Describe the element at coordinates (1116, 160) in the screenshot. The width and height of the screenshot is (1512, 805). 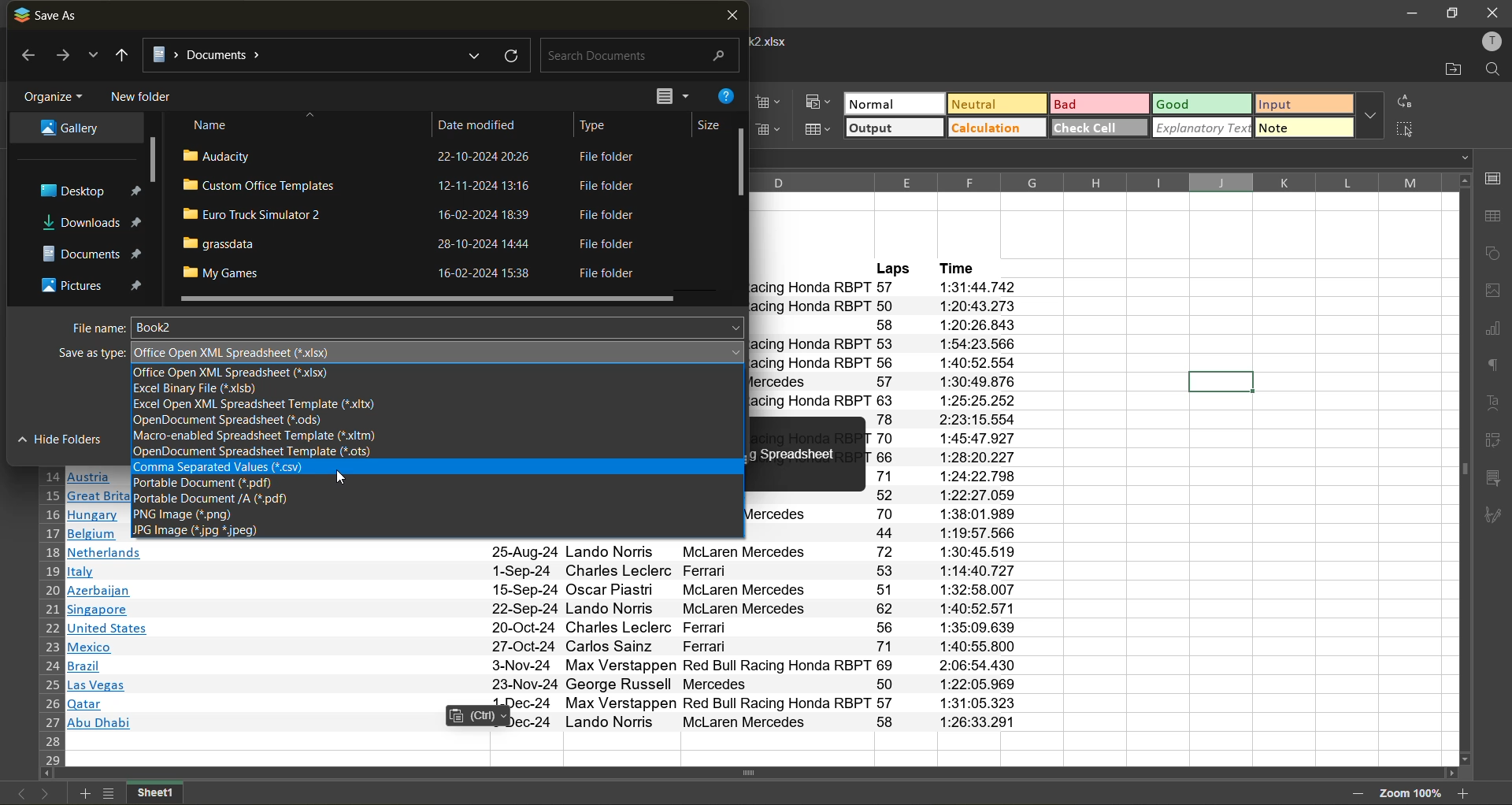
I see `formula bar` at that location.